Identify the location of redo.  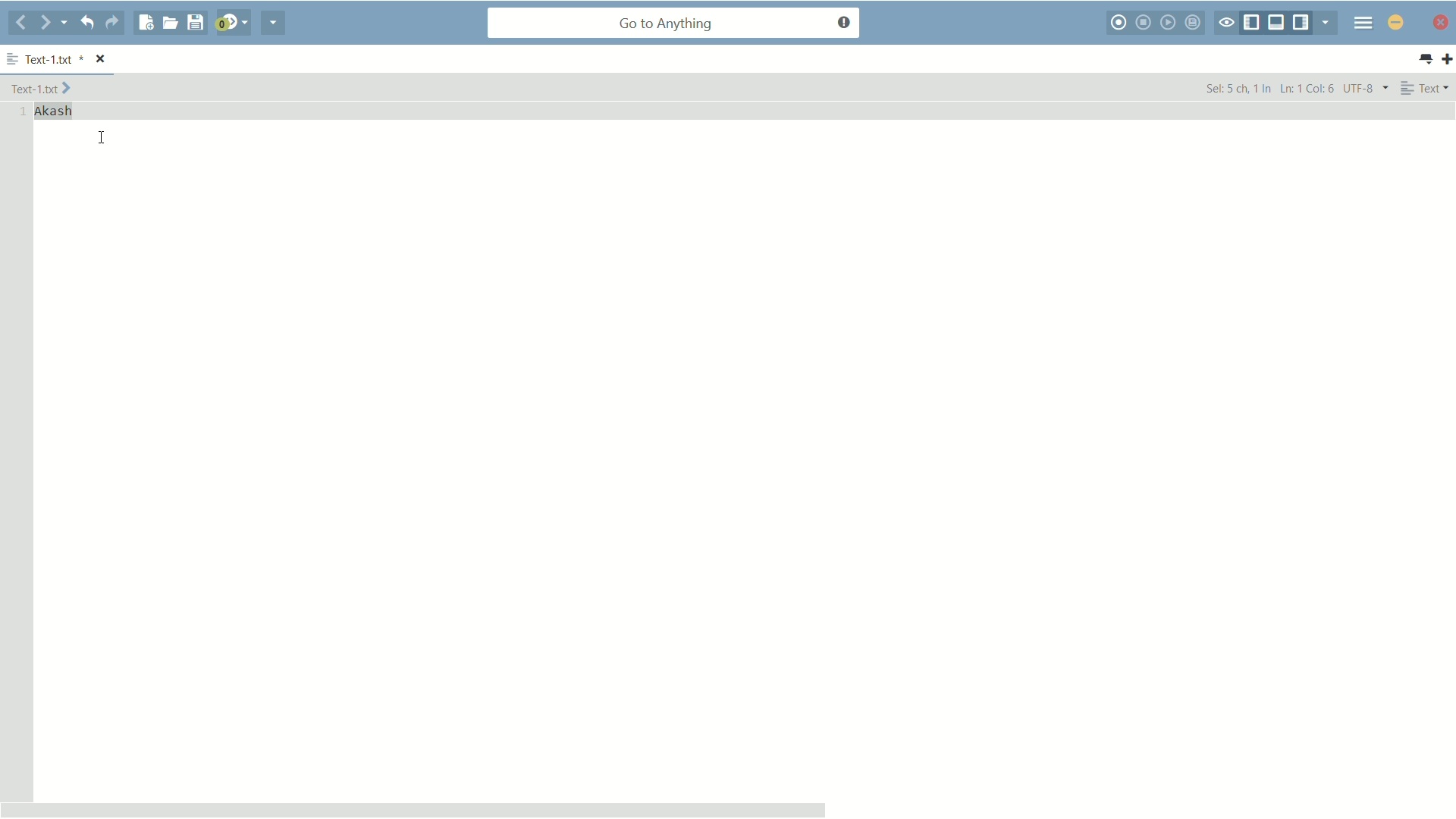
(112, 23).